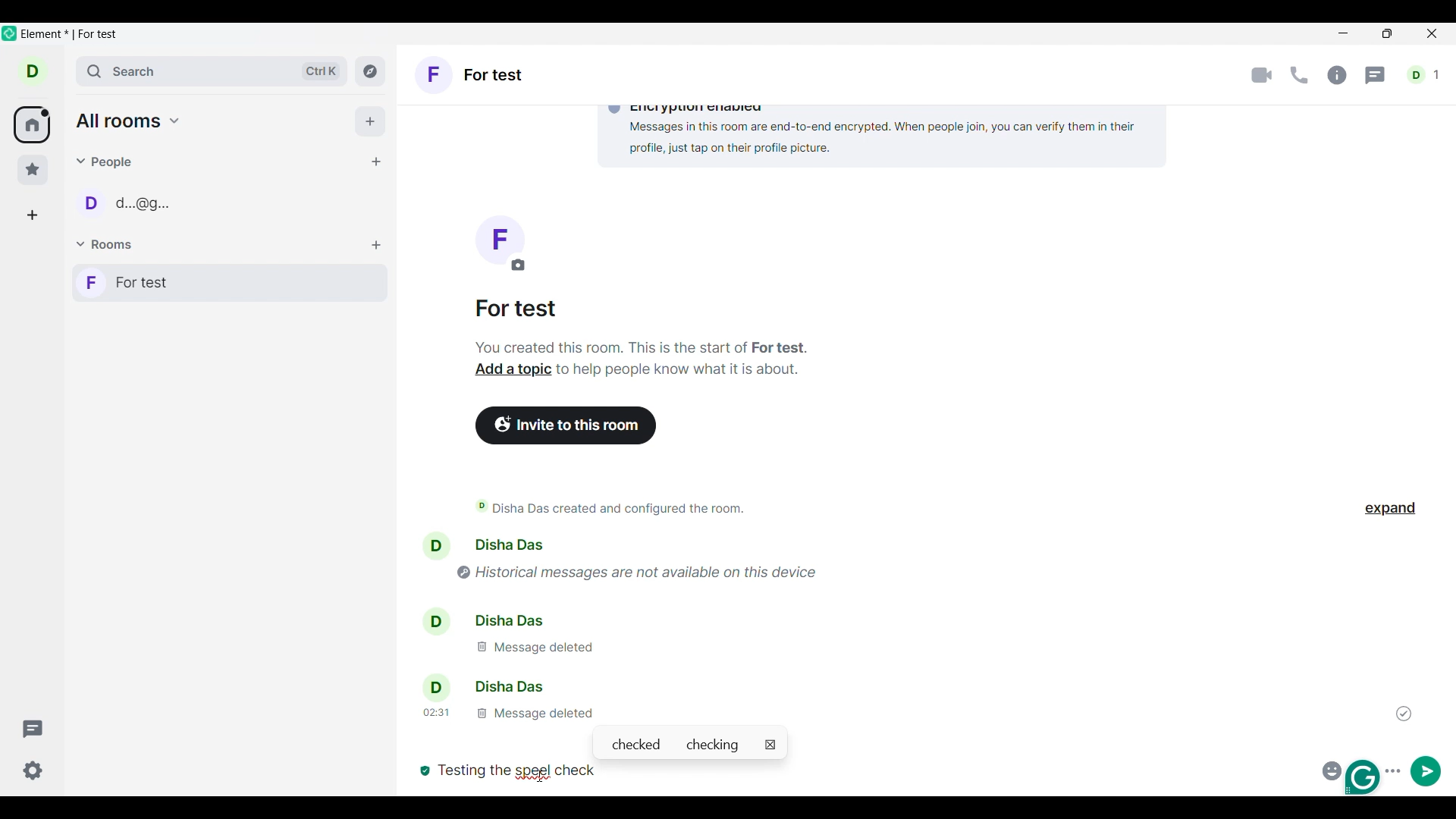  What do you see at coordinates (1329, 769) in the screenshot?
I see `Add emoji` at bounding box center [1329, 769].